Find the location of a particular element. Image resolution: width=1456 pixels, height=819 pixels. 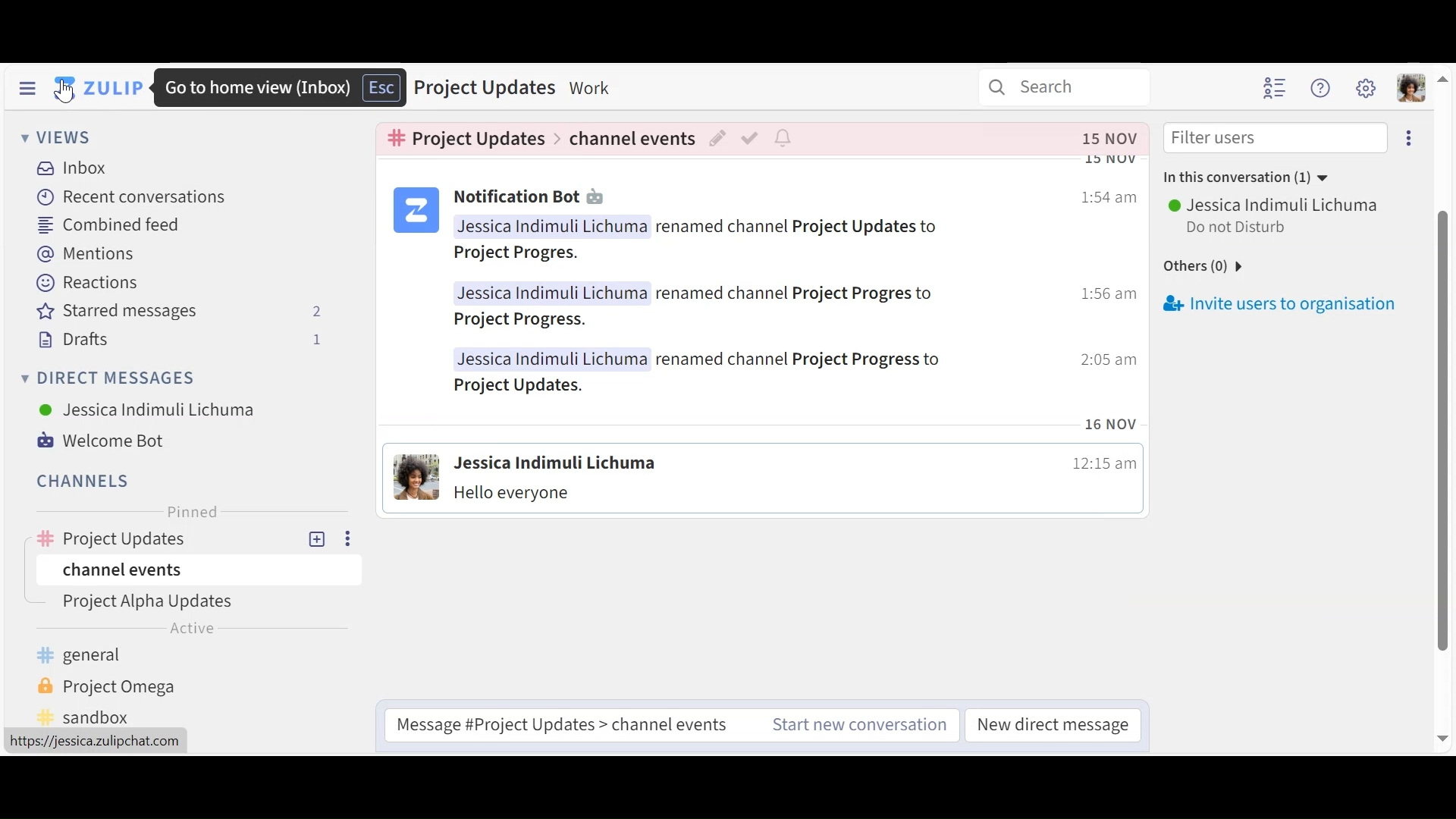

Starred messages is located at coordinates (186, 312).